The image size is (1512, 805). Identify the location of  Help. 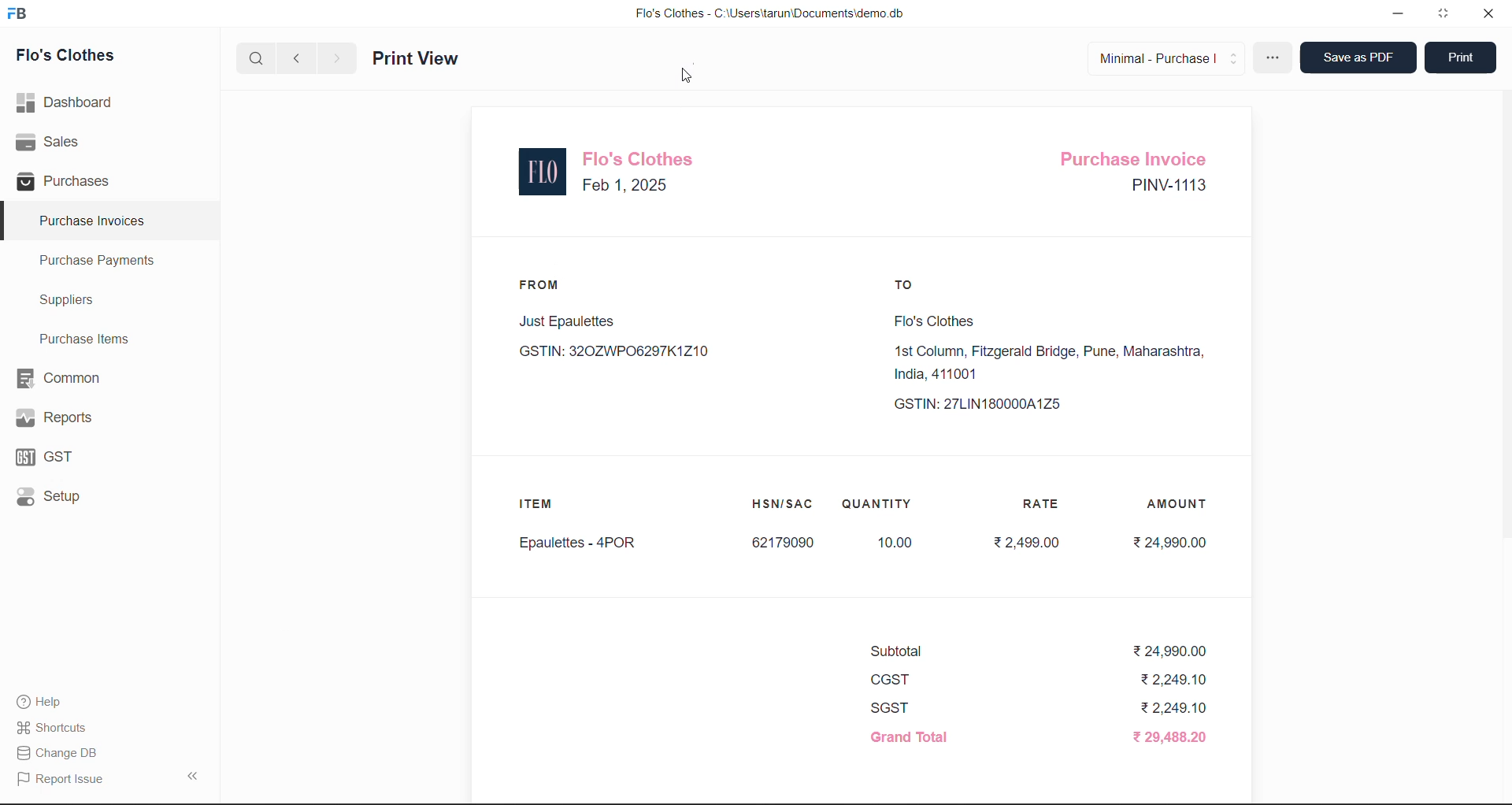
(53, 699).